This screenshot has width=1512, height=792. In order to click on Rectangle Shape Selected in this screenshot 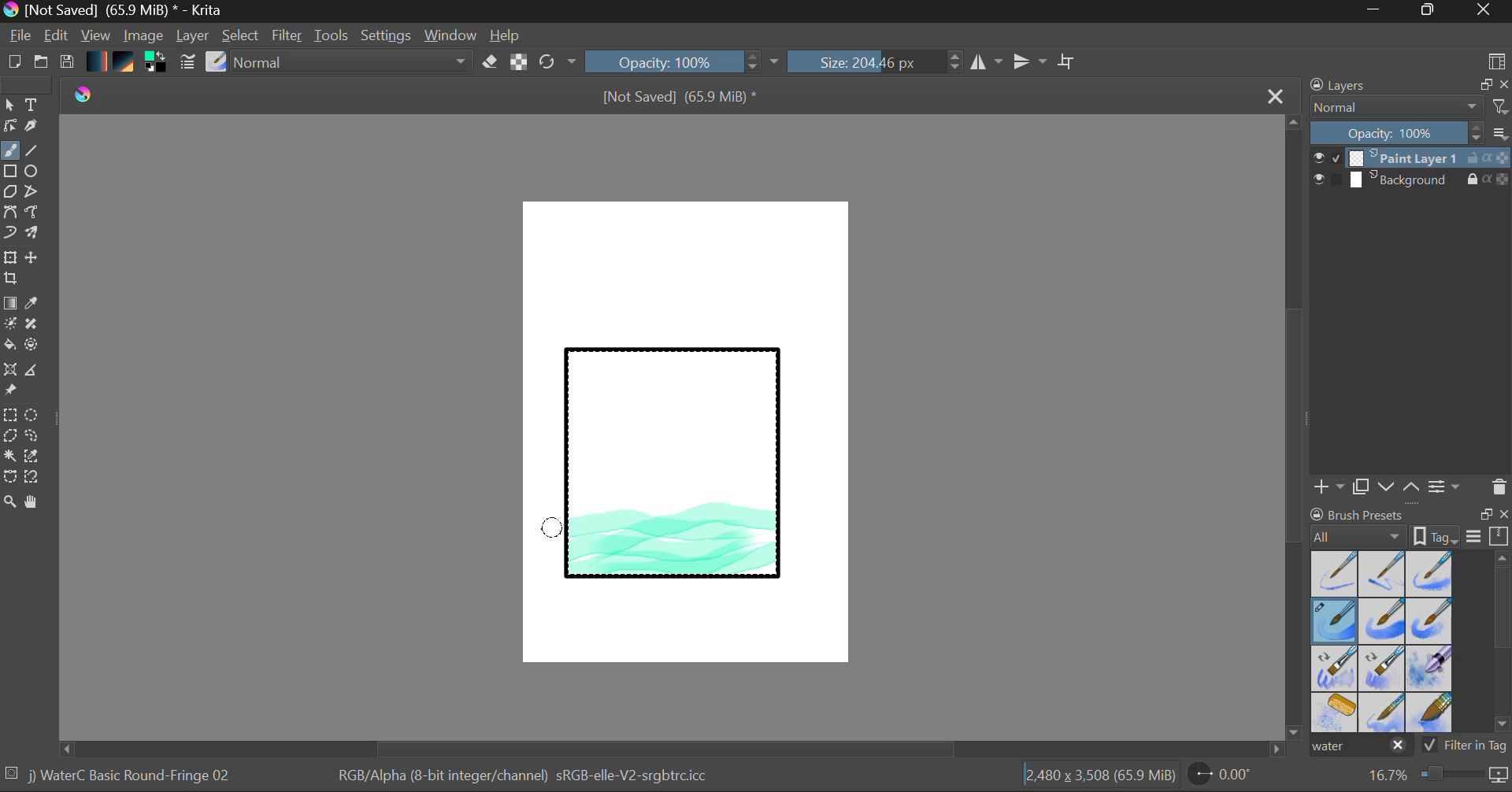, I will do `click(674, 479)`.